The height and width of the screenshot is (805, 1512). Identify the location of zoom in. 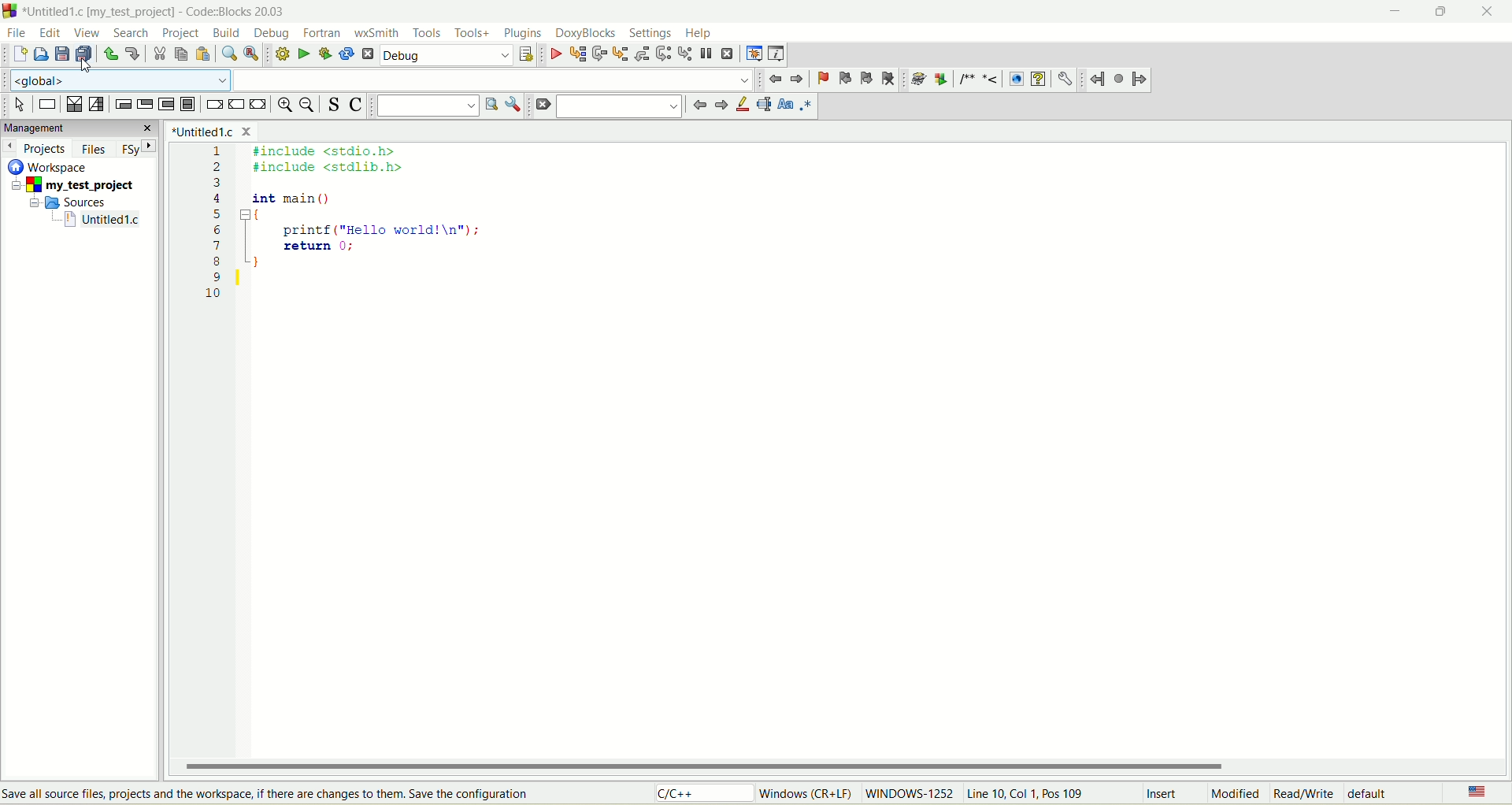
(283, 107).